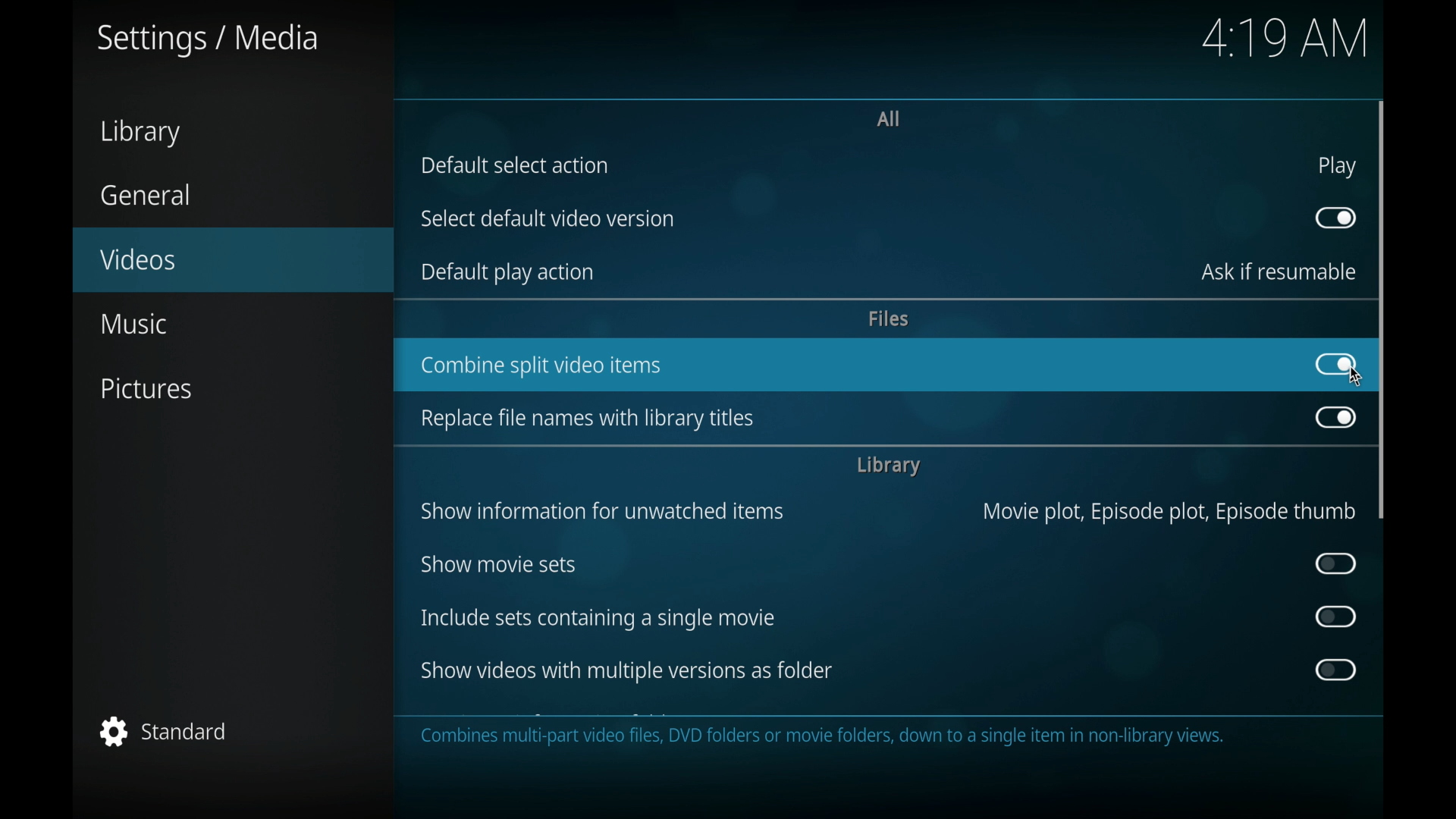  Describe the element at coordinates (1336, 166) in the screenshot. I see `play` at that location.